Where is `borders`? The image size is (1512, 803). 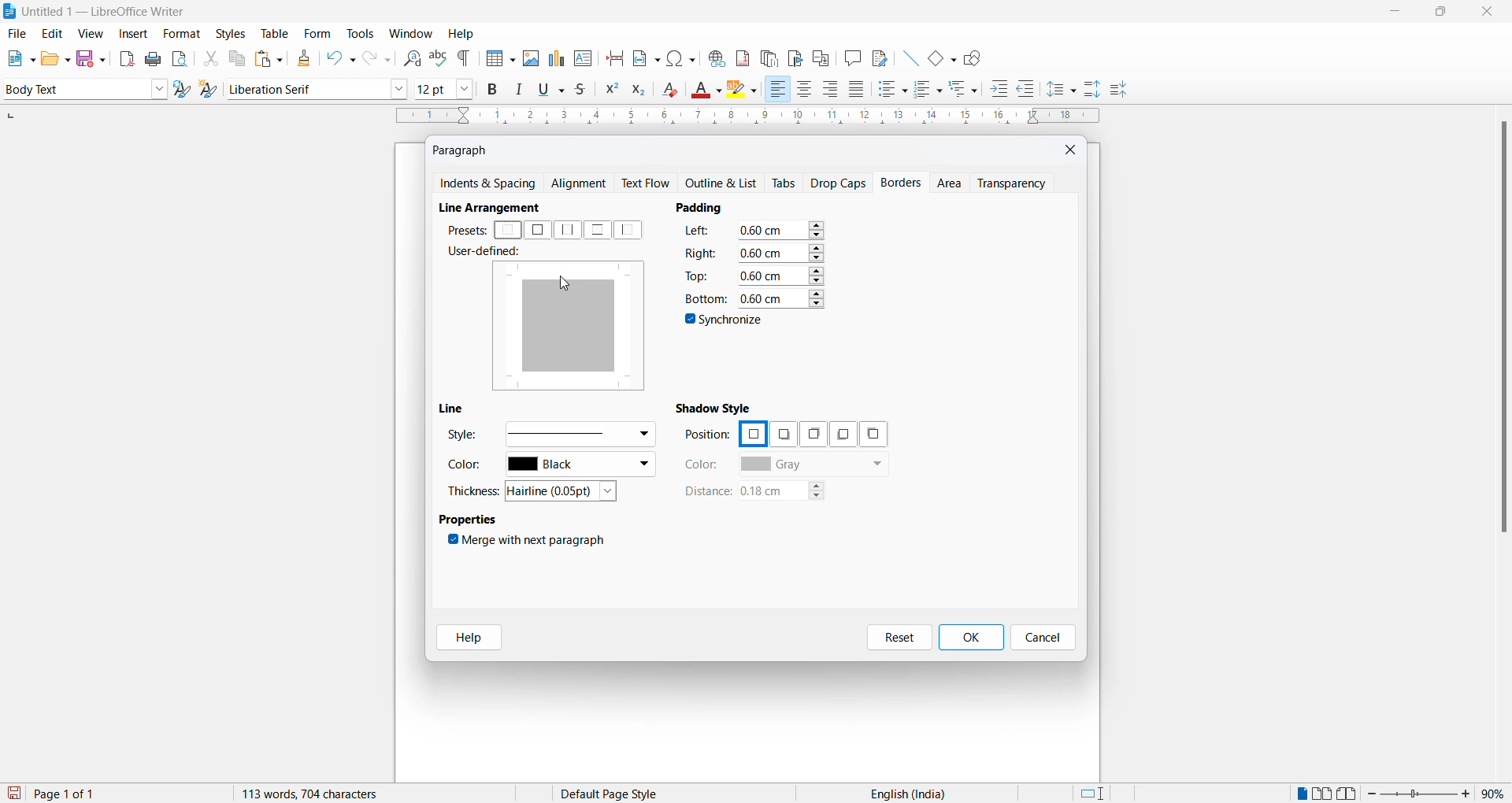 borders is located at coordinates (903, 183).